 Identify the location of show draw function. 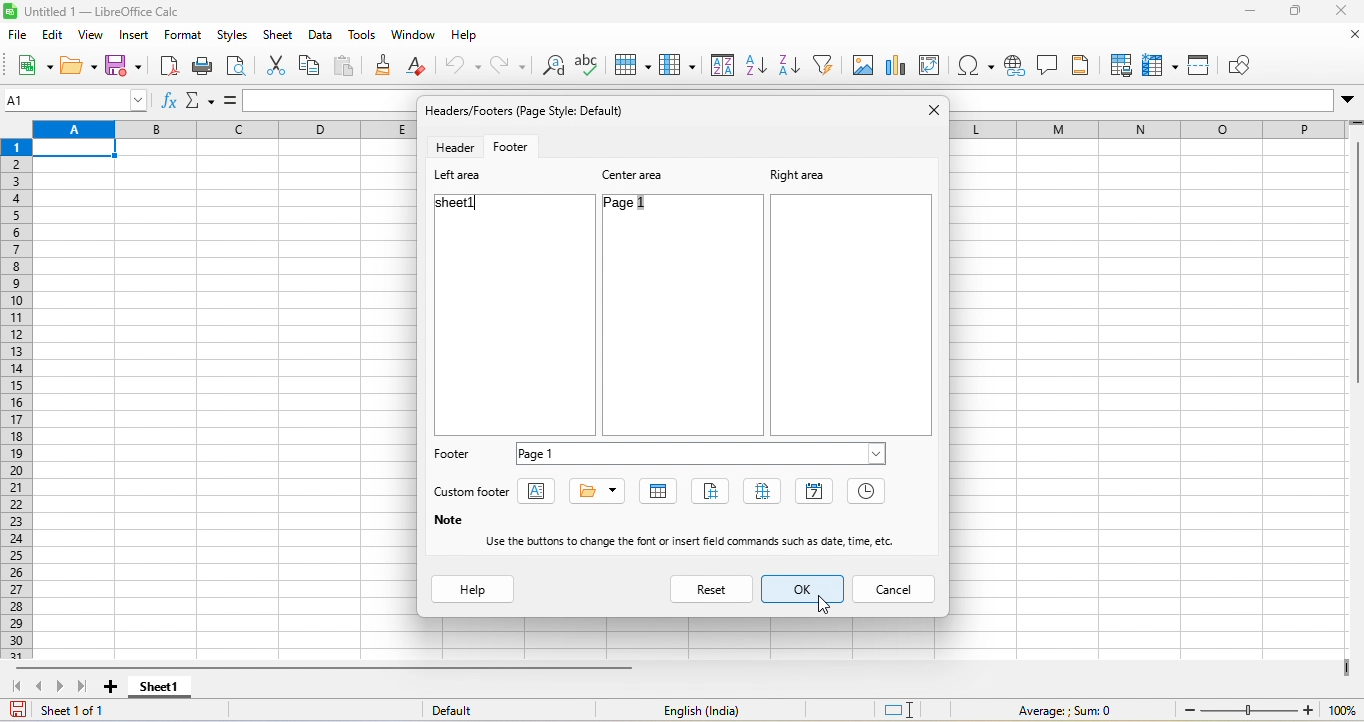
(1247, 64).